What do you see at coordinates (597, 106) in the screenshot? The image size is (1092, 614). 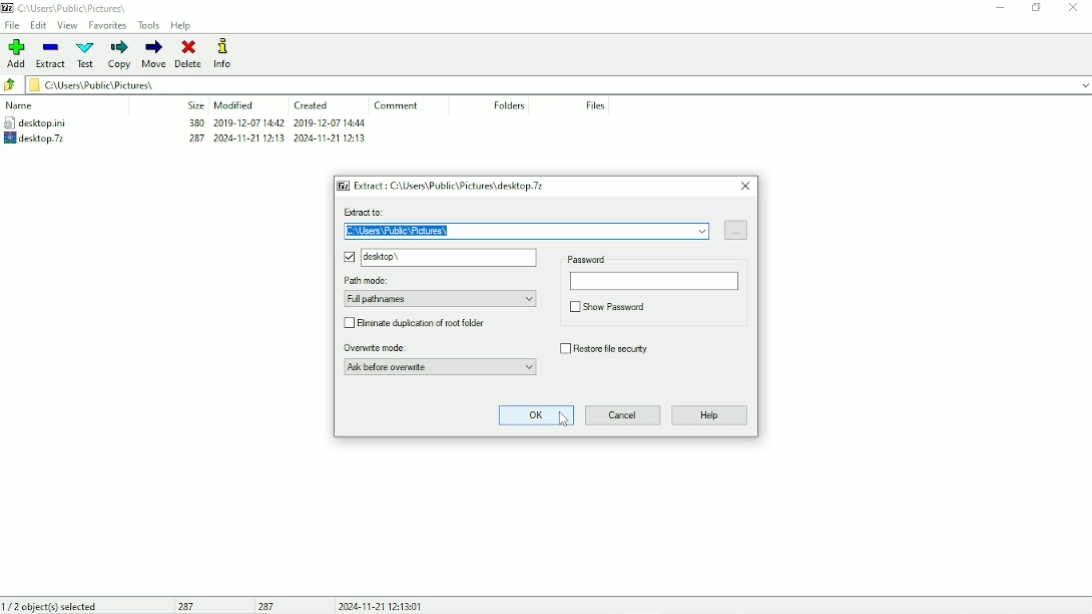 I see `Files` at bounding box center [597, 106].